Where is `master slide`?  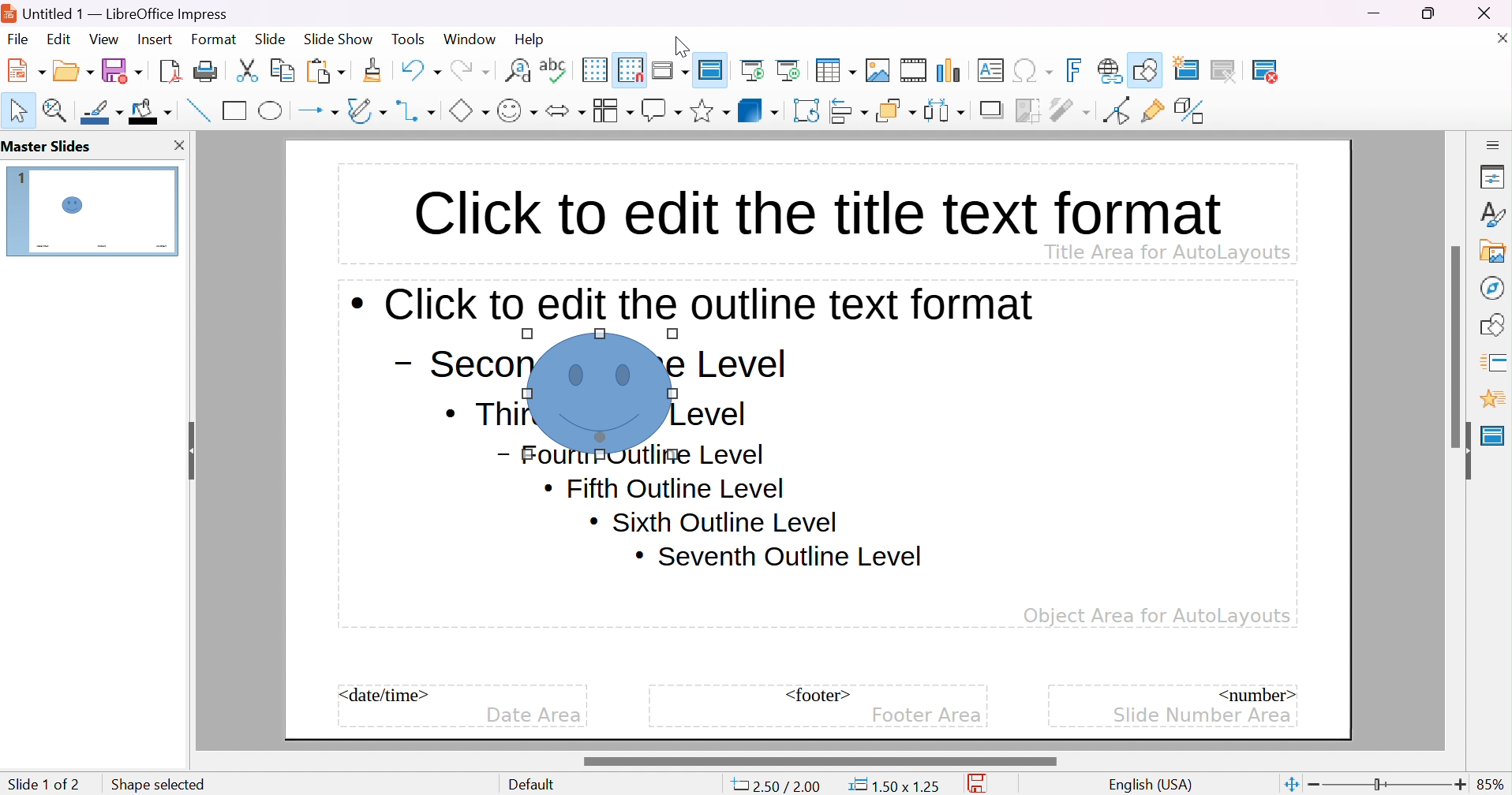 master slide is located at coordinates (1493, 435).